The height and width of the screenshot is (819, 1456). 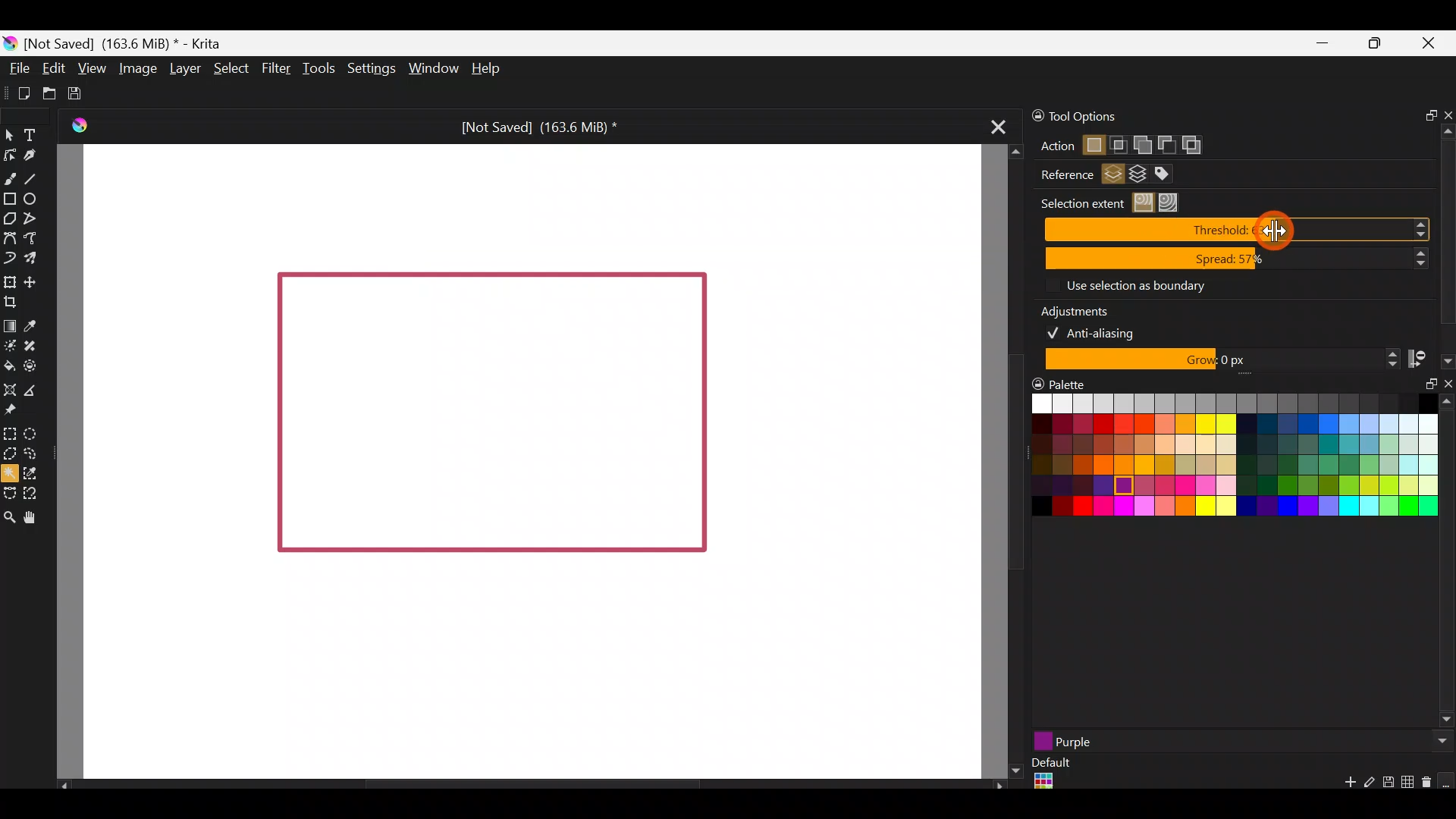 What do you see at coordinates (1159, 741) in the screenshot?
I see `Purple color` at bounding box center [1159, 741].